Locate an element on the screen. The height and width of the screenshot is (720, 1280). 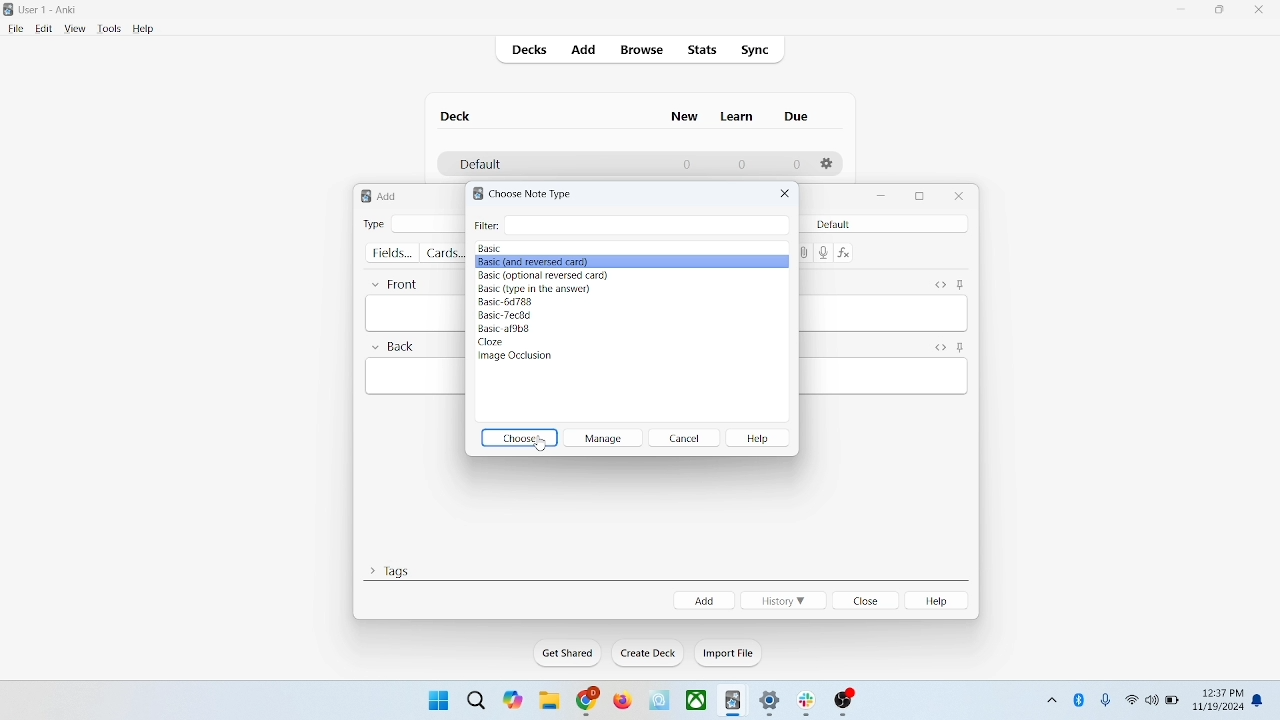
image occlusion is located at coordinates (524, 360).